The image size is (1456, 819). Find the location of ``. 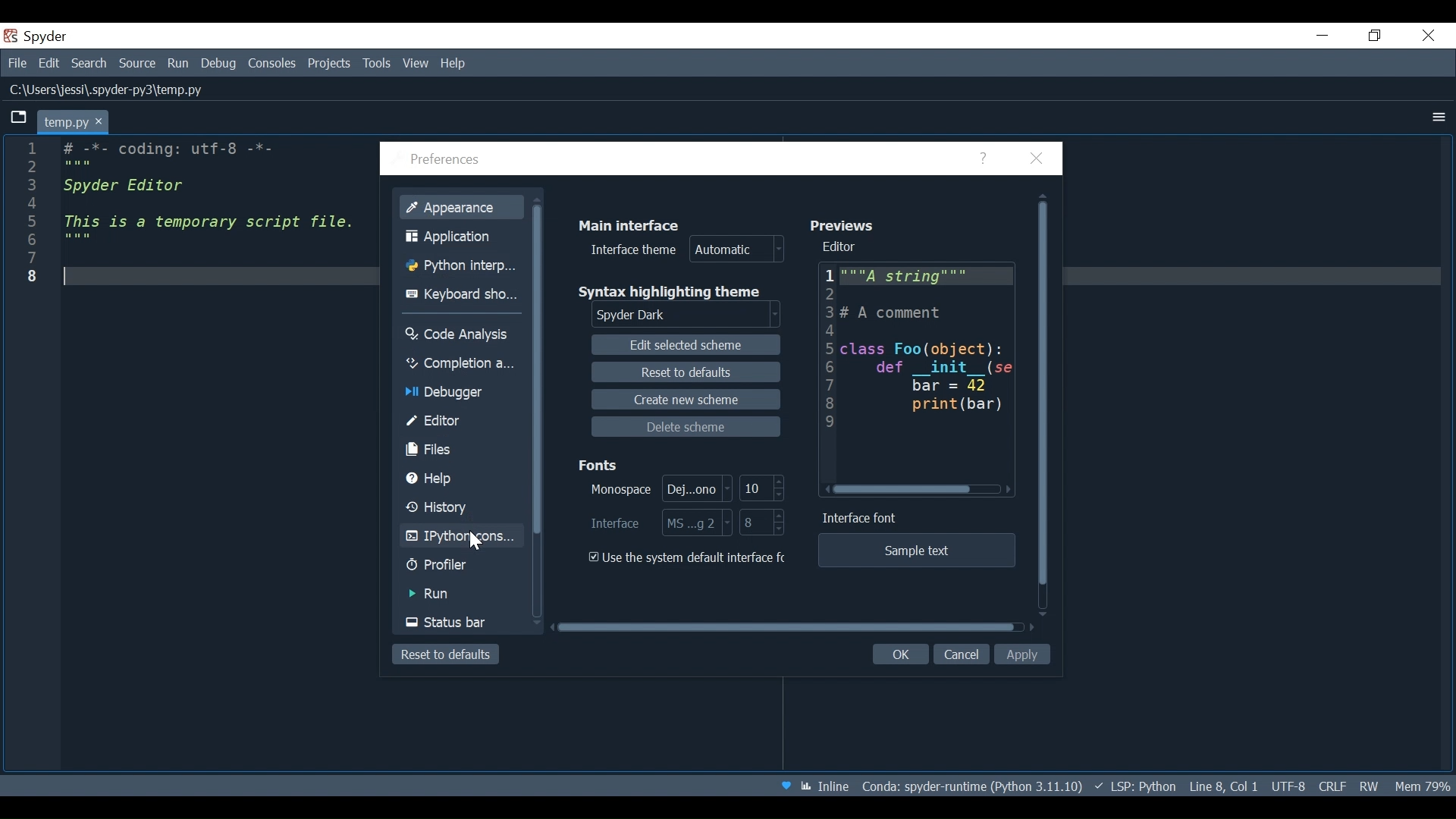

 is located at coordinates (1373, 37).